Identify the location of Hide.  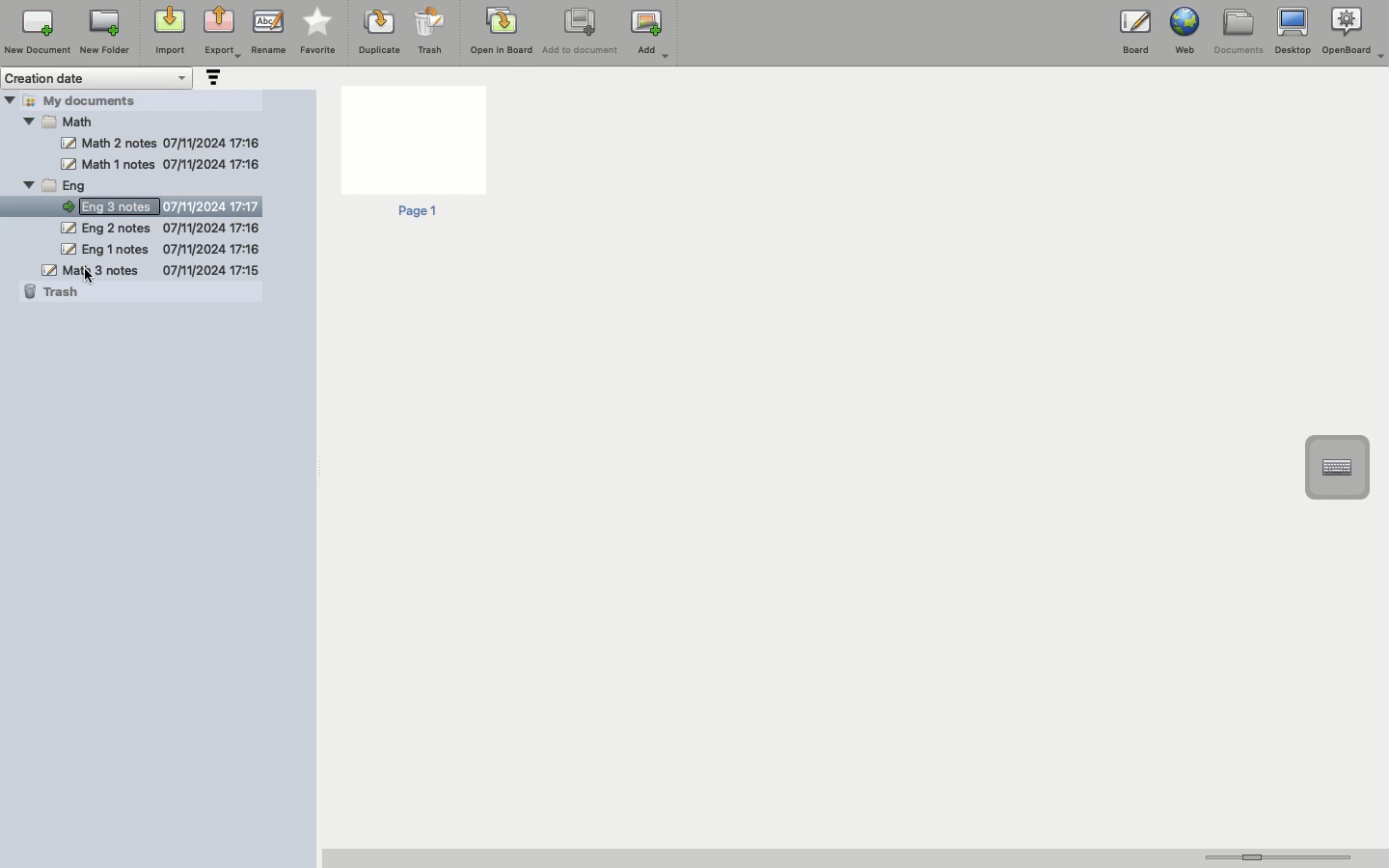
(10, 99).